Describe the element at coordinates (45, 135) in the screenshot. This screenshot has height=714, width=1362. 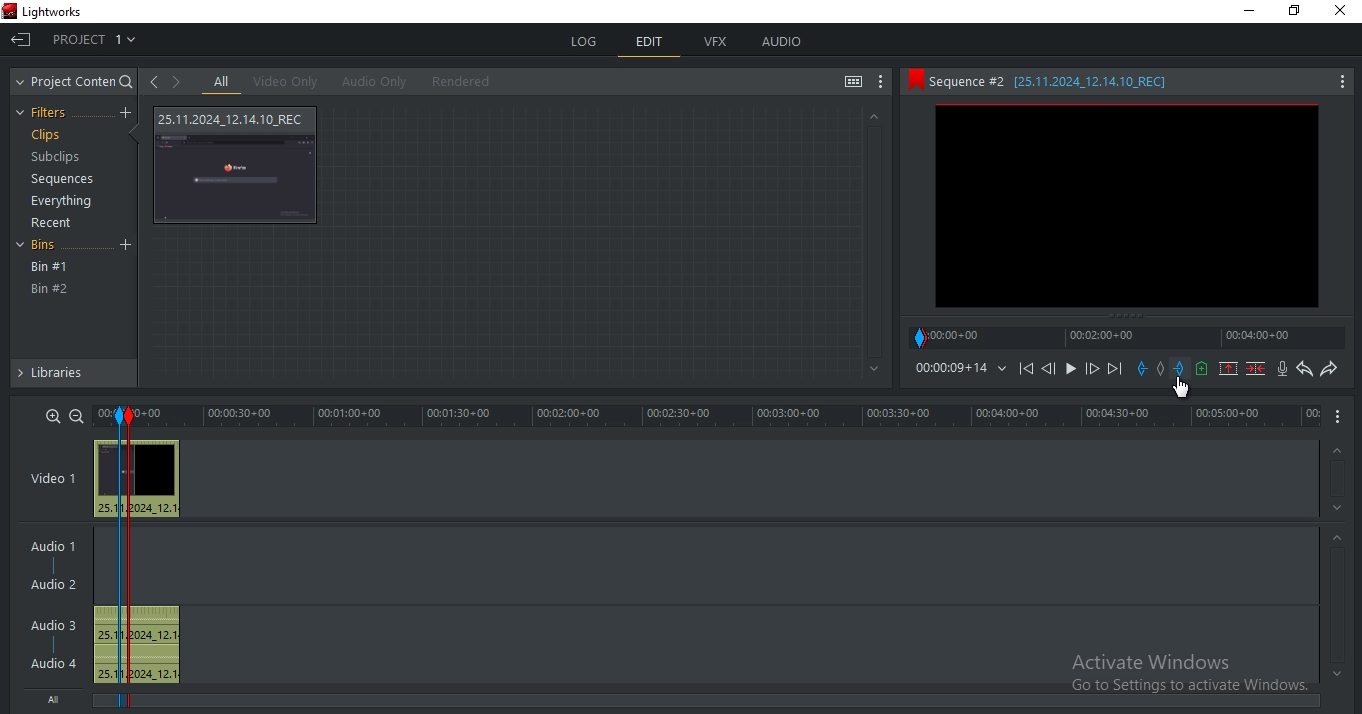
I see `clips` at that location.